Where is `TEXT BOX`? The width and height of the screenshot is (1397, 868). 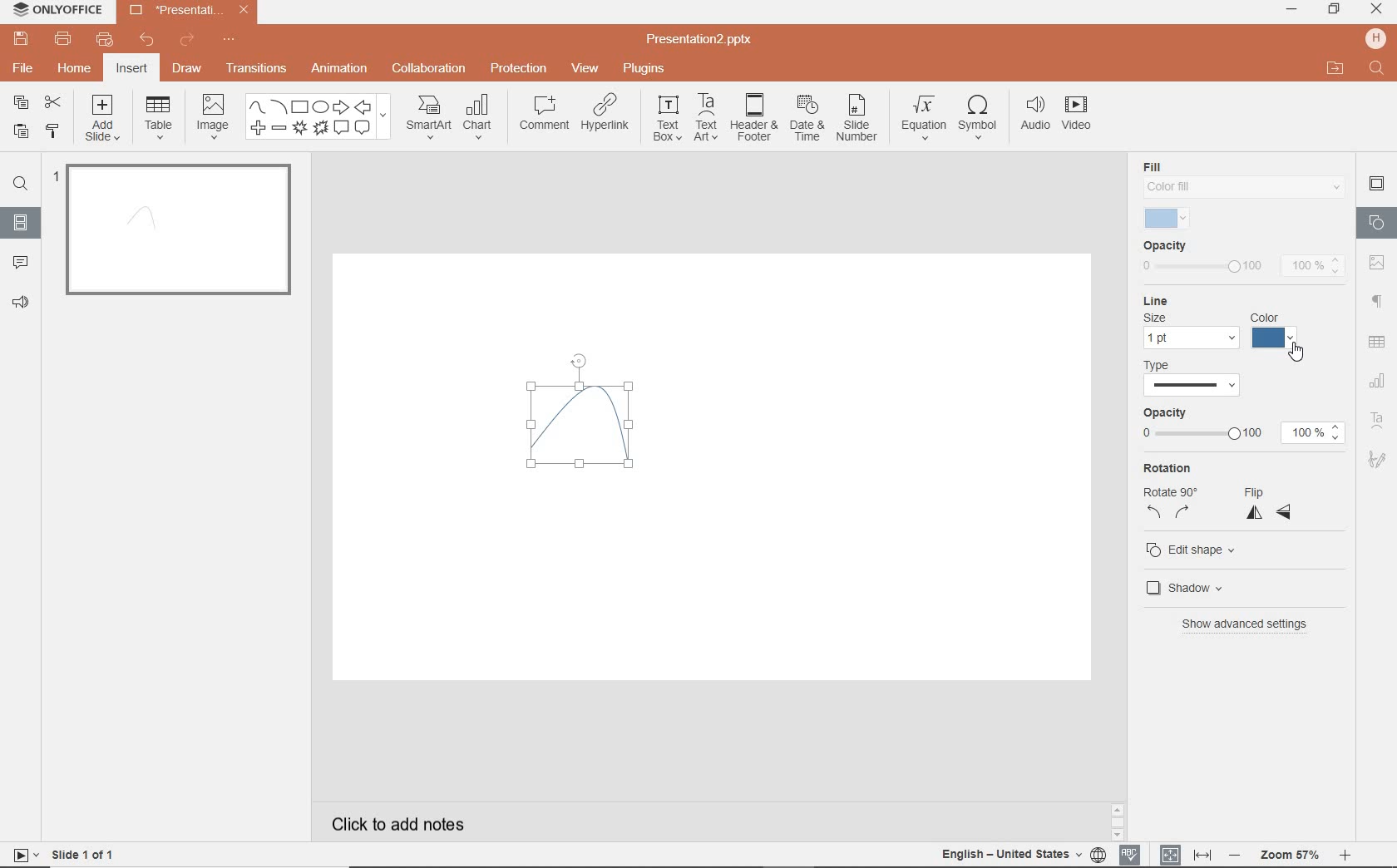 TEXT BOX is located at coordinates (665, 121).